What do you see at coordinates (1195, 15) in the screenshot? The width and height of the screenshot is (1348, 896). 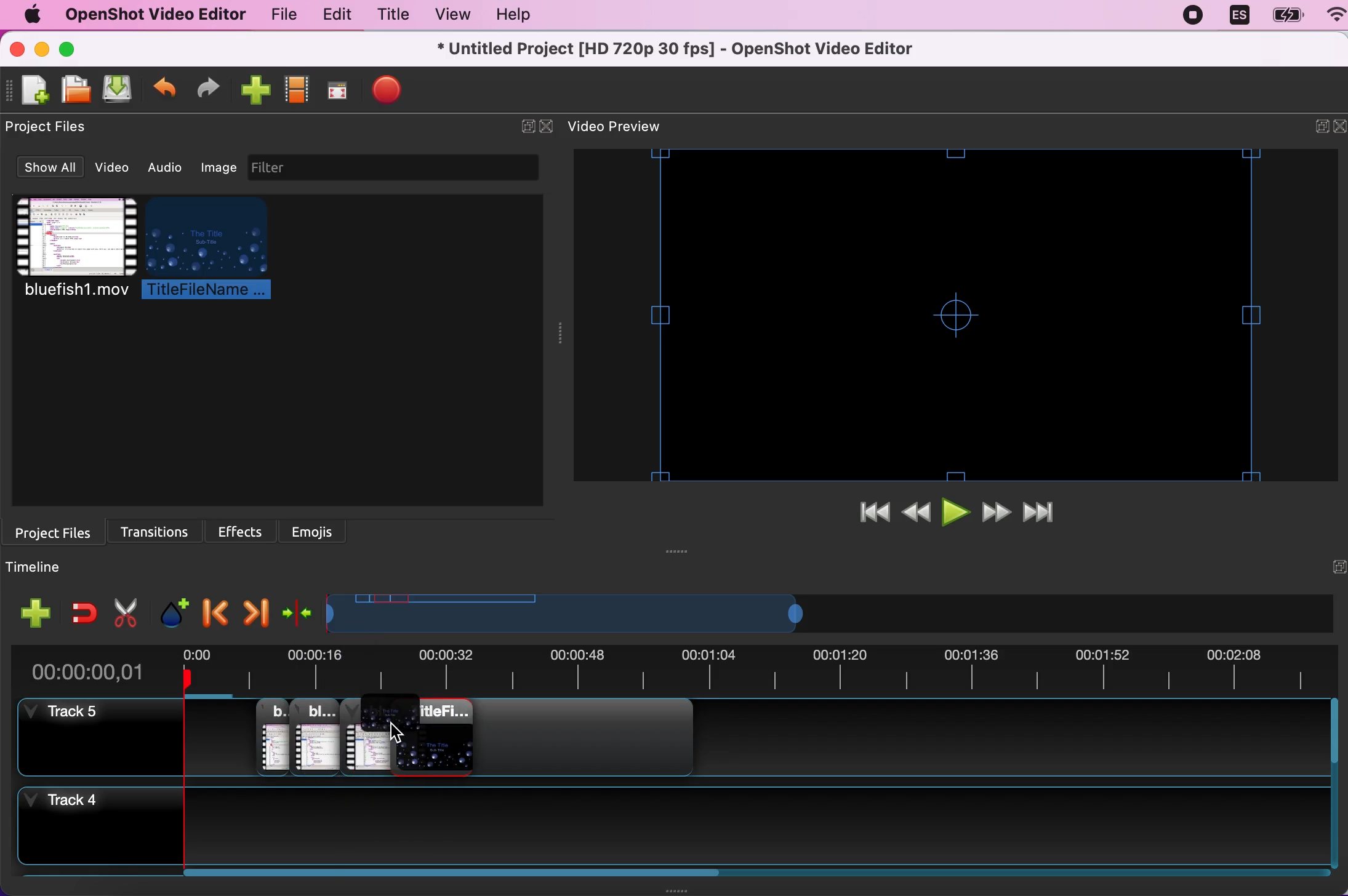 I see `recording stopped` at bounding box center [1195, 15].